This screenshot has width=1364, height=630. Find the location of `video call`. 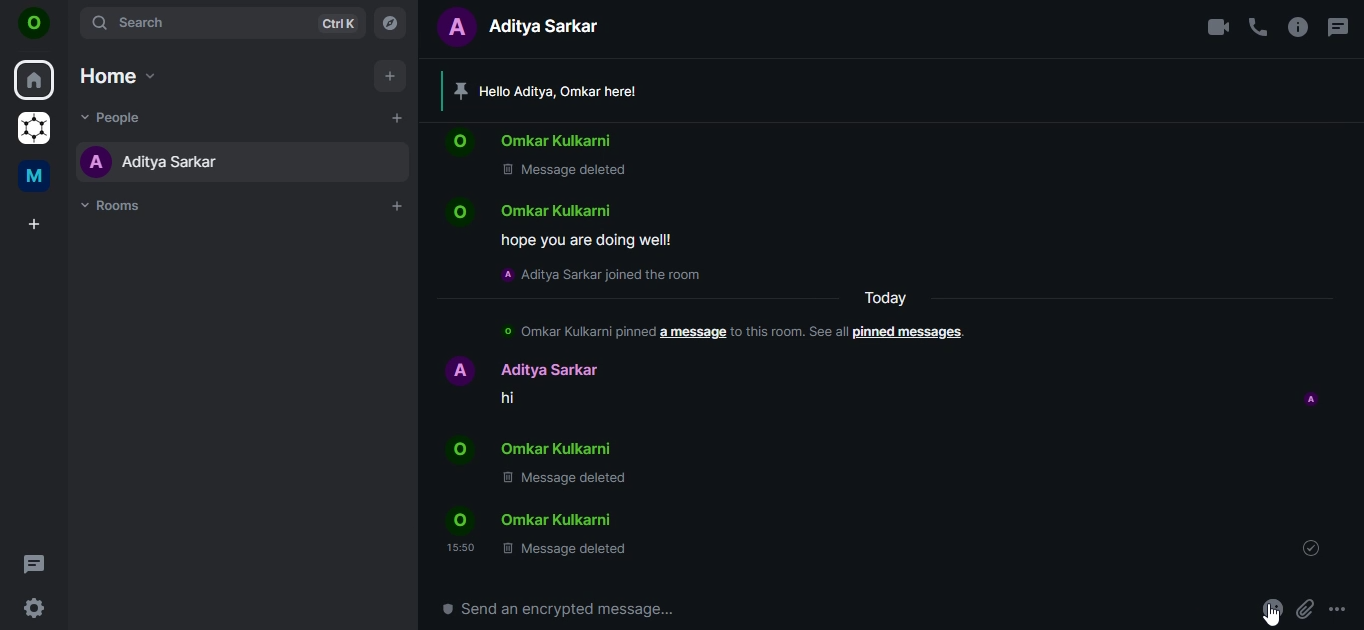

video call is located at coordinates (1217, 27).